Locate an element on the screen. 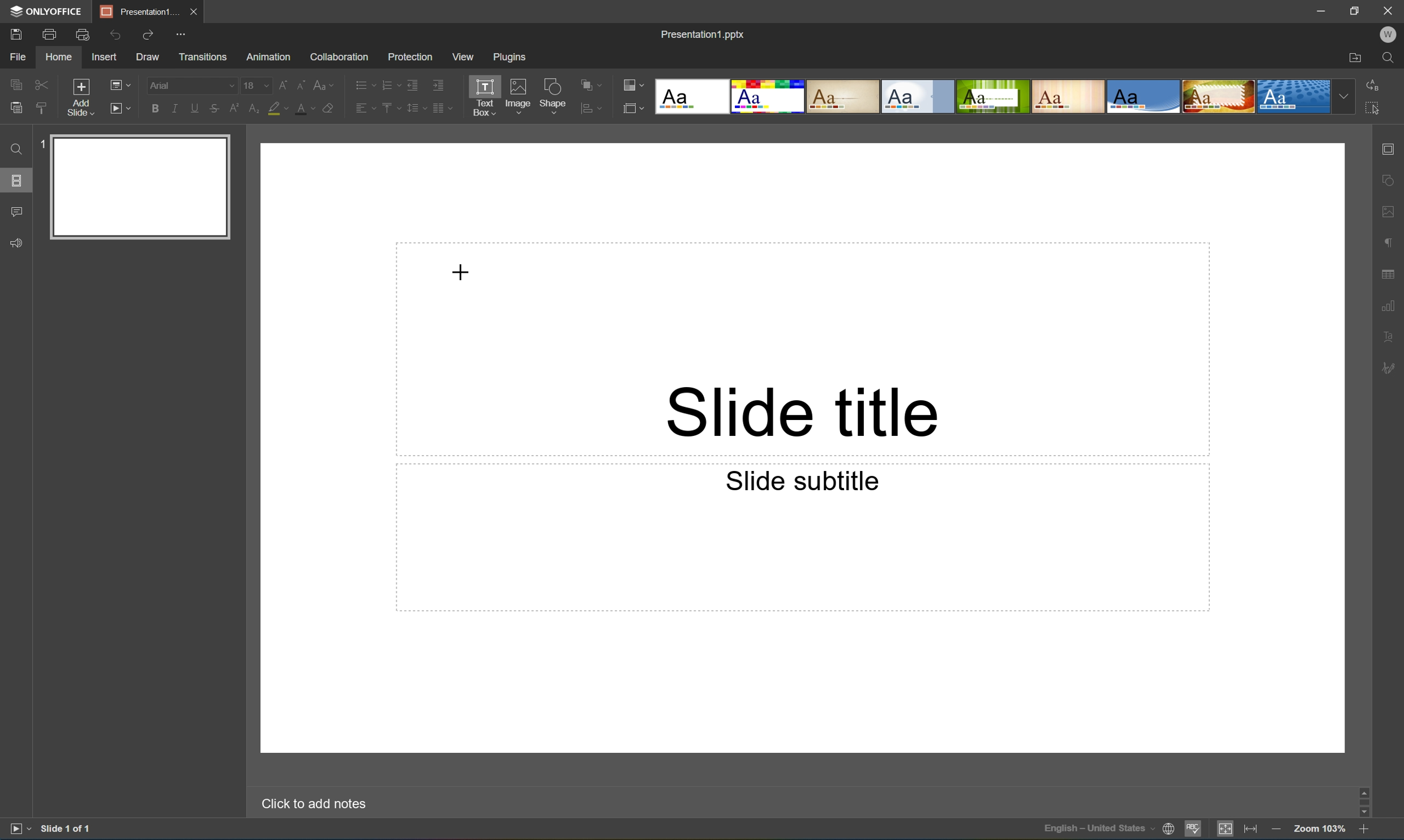 The width and height of the screenshot is (1404, 840). Slides is located at coordinates (19, 181).